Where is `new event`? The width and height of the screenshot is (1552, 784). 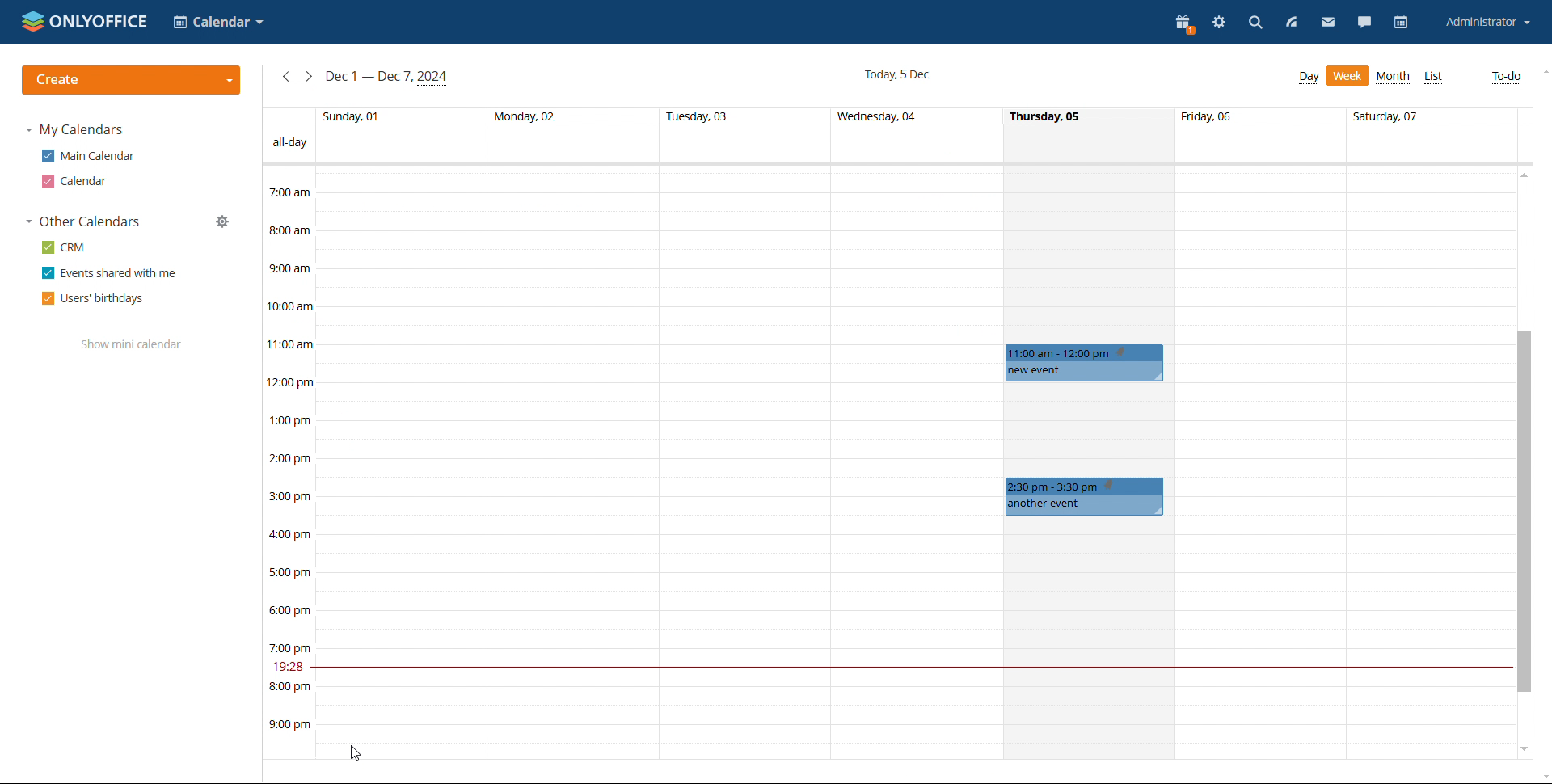 new event is located at coordinates (1083, 372).